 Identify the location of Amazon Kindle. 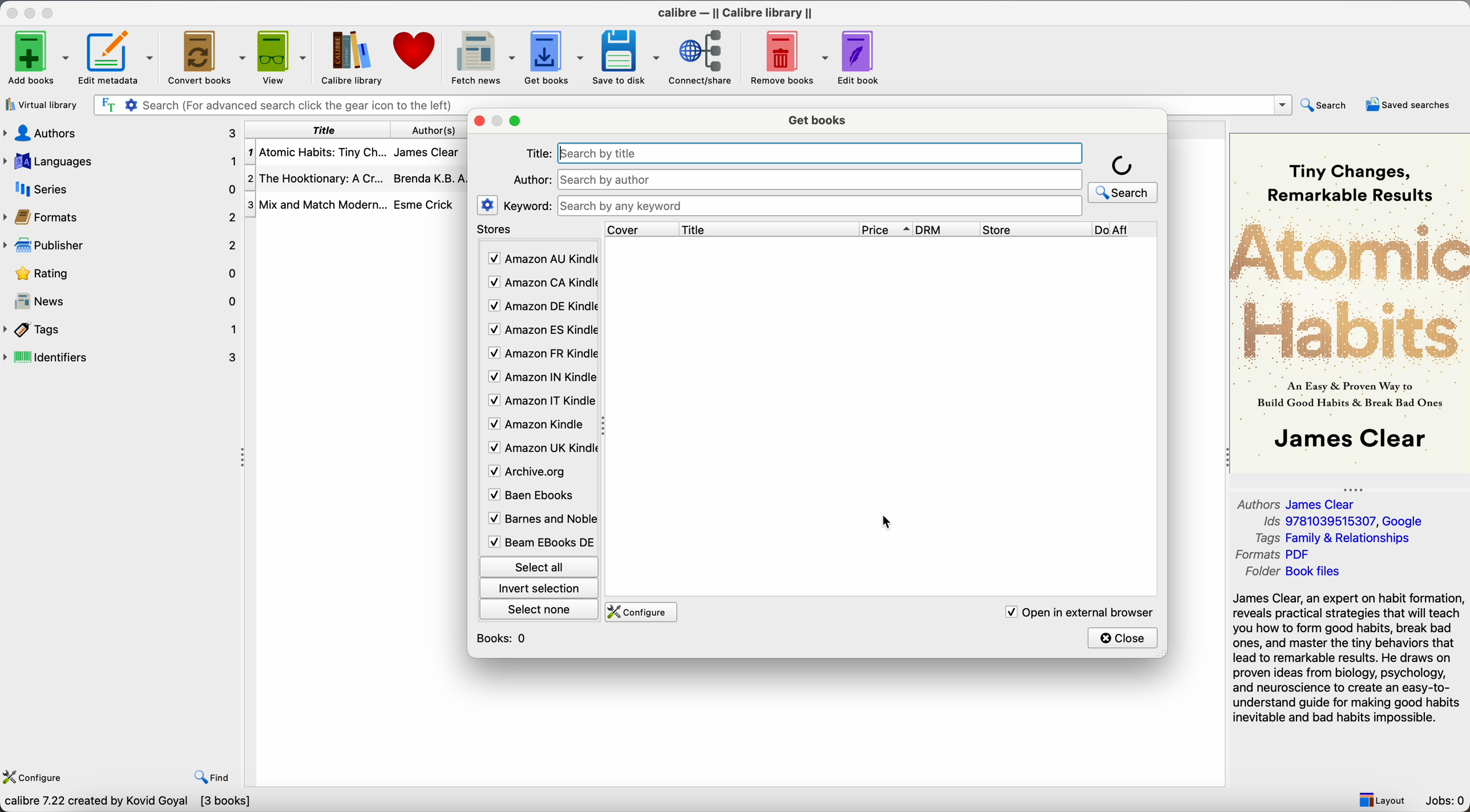
(538, 426).